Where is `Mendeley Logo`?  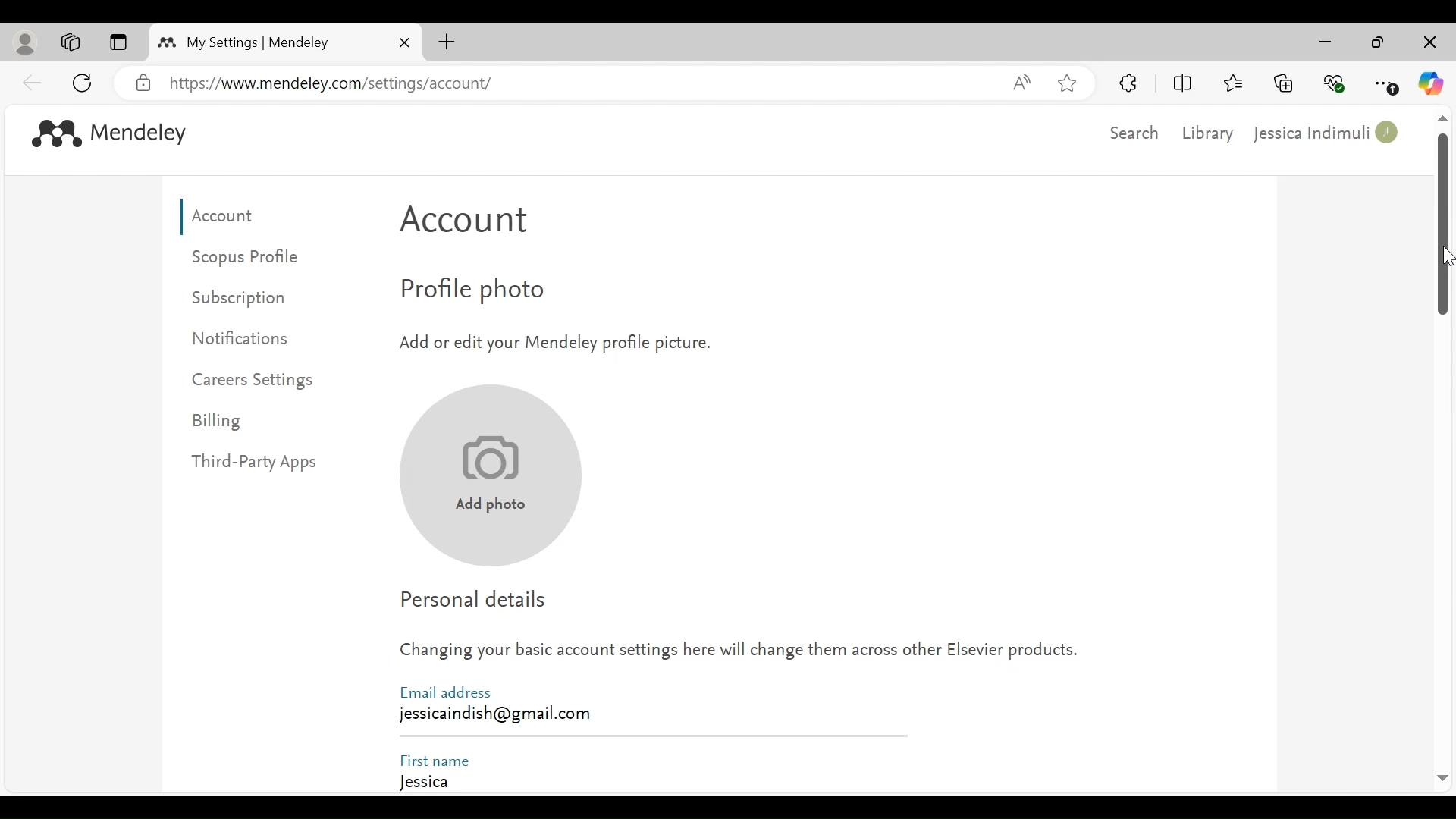 Mendeley Logo is located at coordinates (52, 132).